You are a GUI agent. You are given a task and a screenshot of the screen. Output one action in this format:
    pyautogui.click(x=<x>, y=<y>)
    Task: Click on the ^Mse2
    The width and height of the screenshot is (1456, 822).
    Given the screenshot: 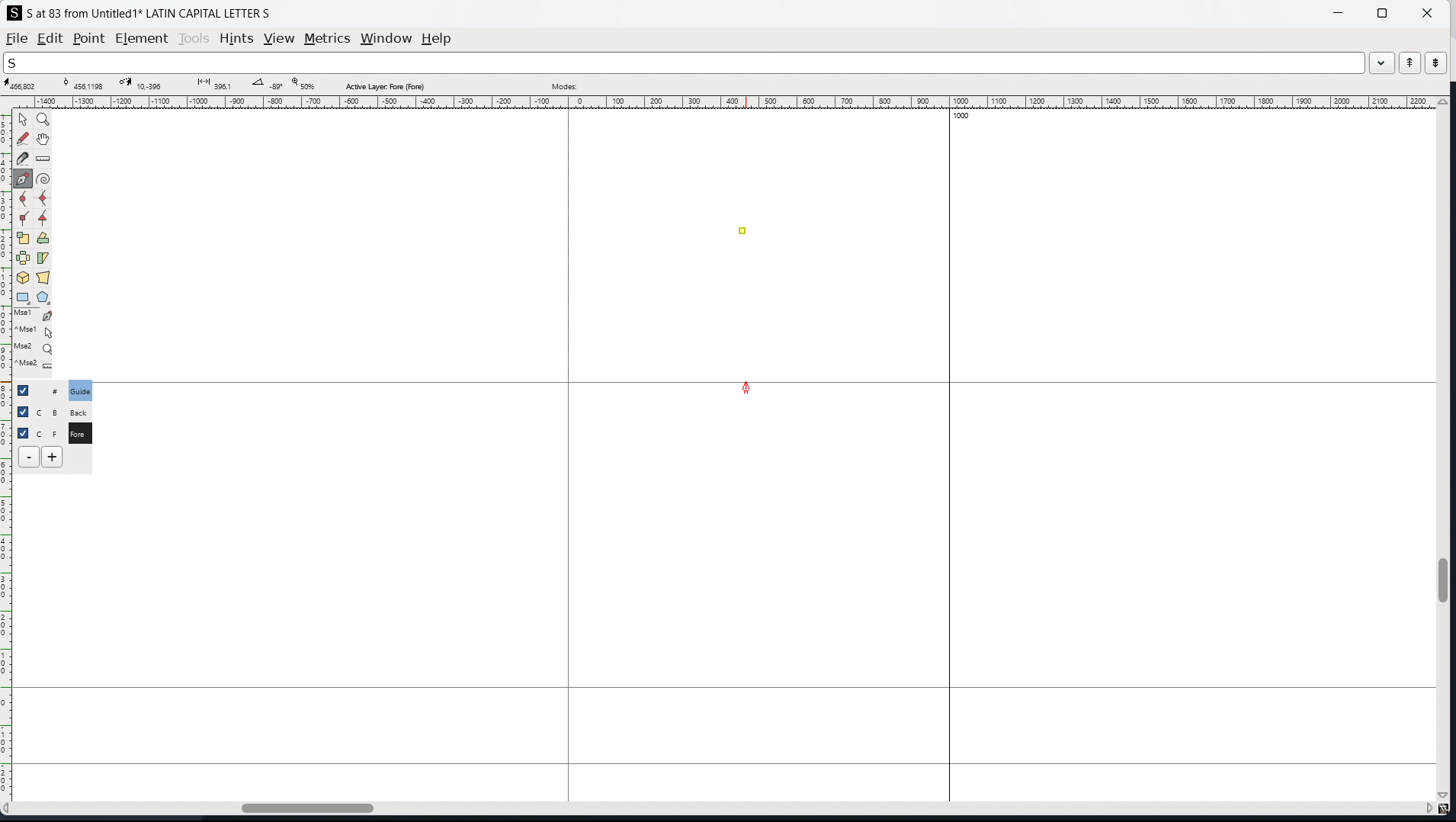 What is the action you would take?
    pyautogui.click(x=35, y=366)
    